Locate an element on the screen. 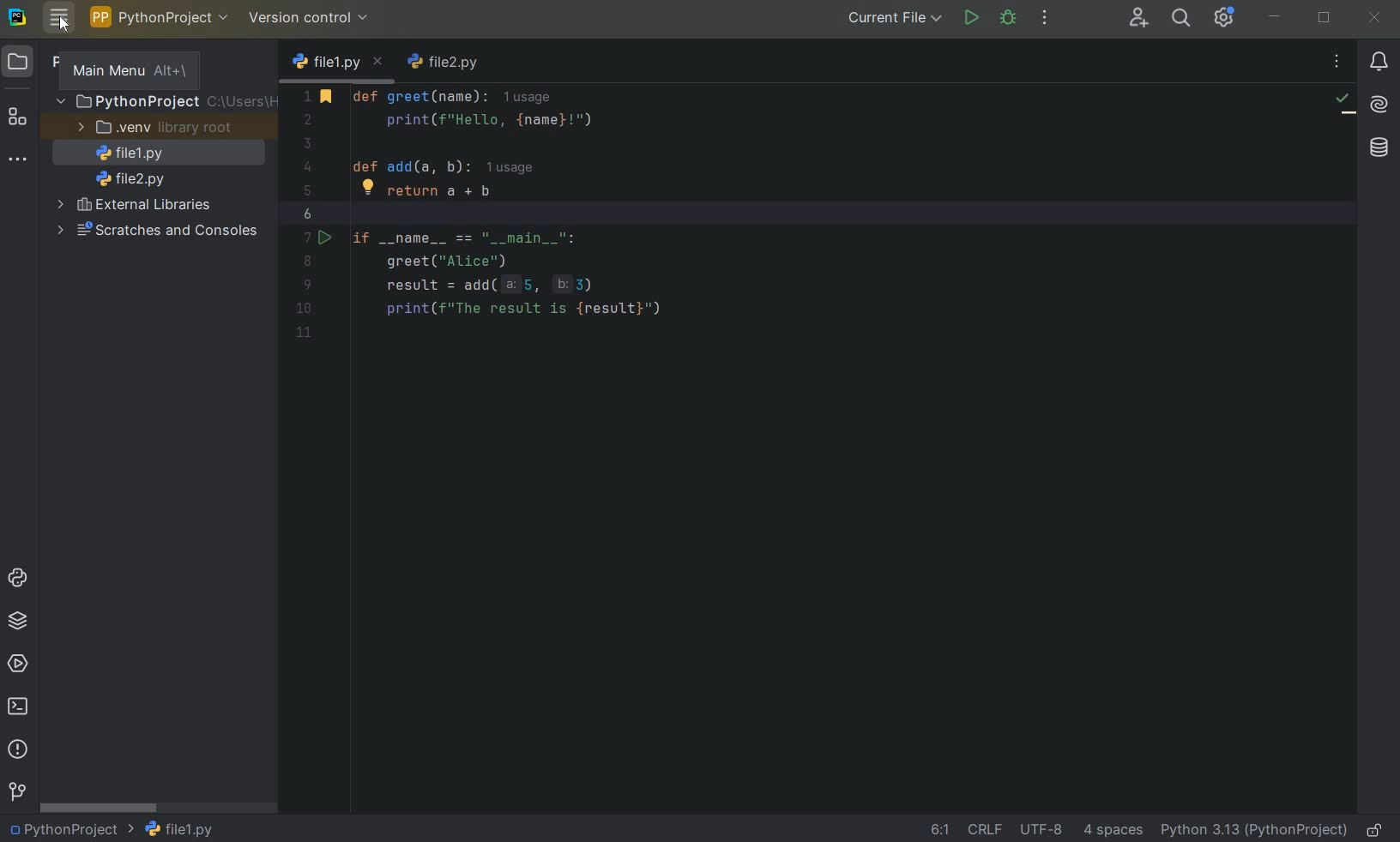 The height and width of the screenshot is (842, 1400). external libraries is located at coordinates (135, 207).